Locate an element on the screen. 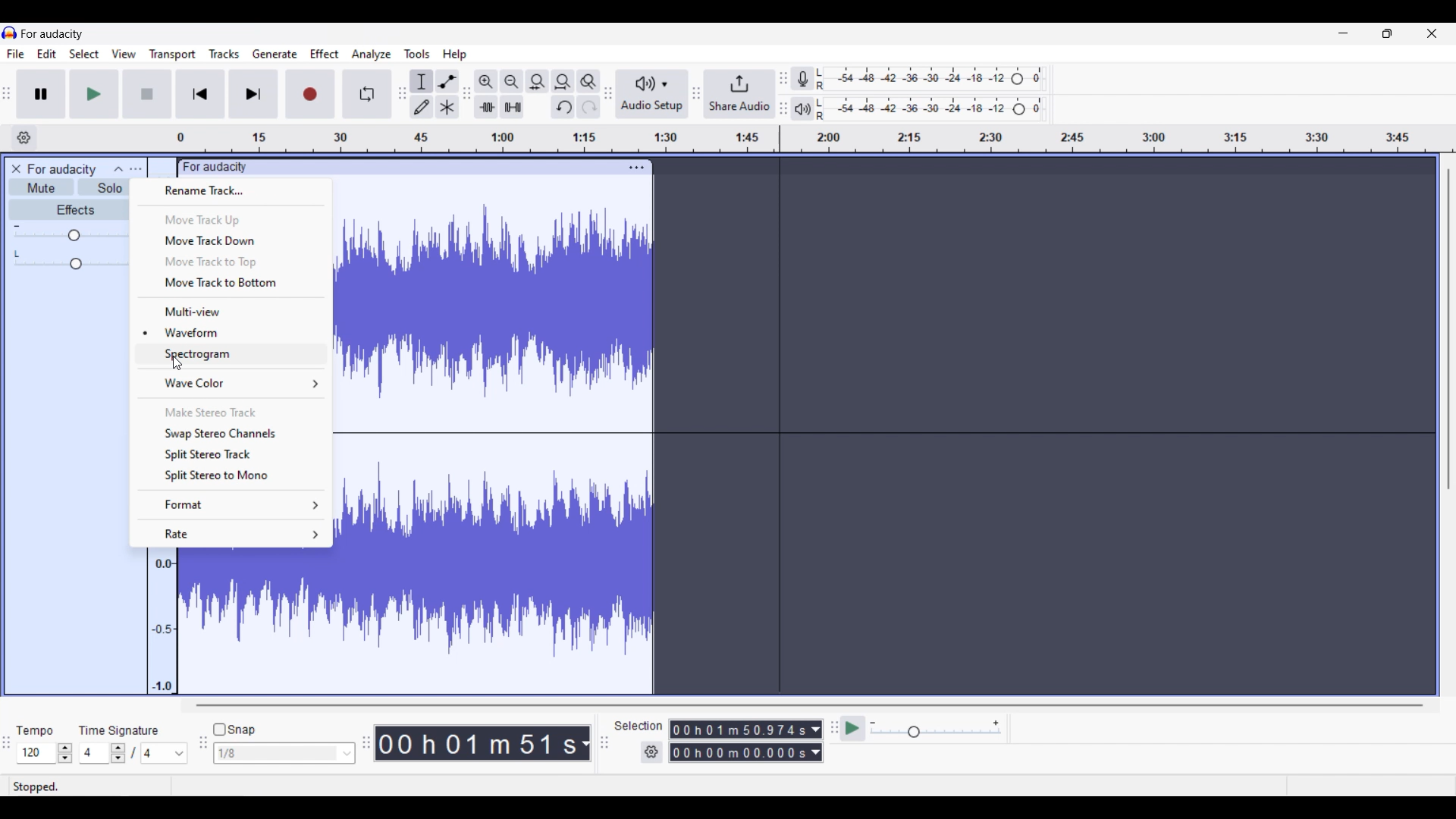 The width and height of the screenshot is (1456, 819). Fit selection to width is located at coordinates (537, 81).